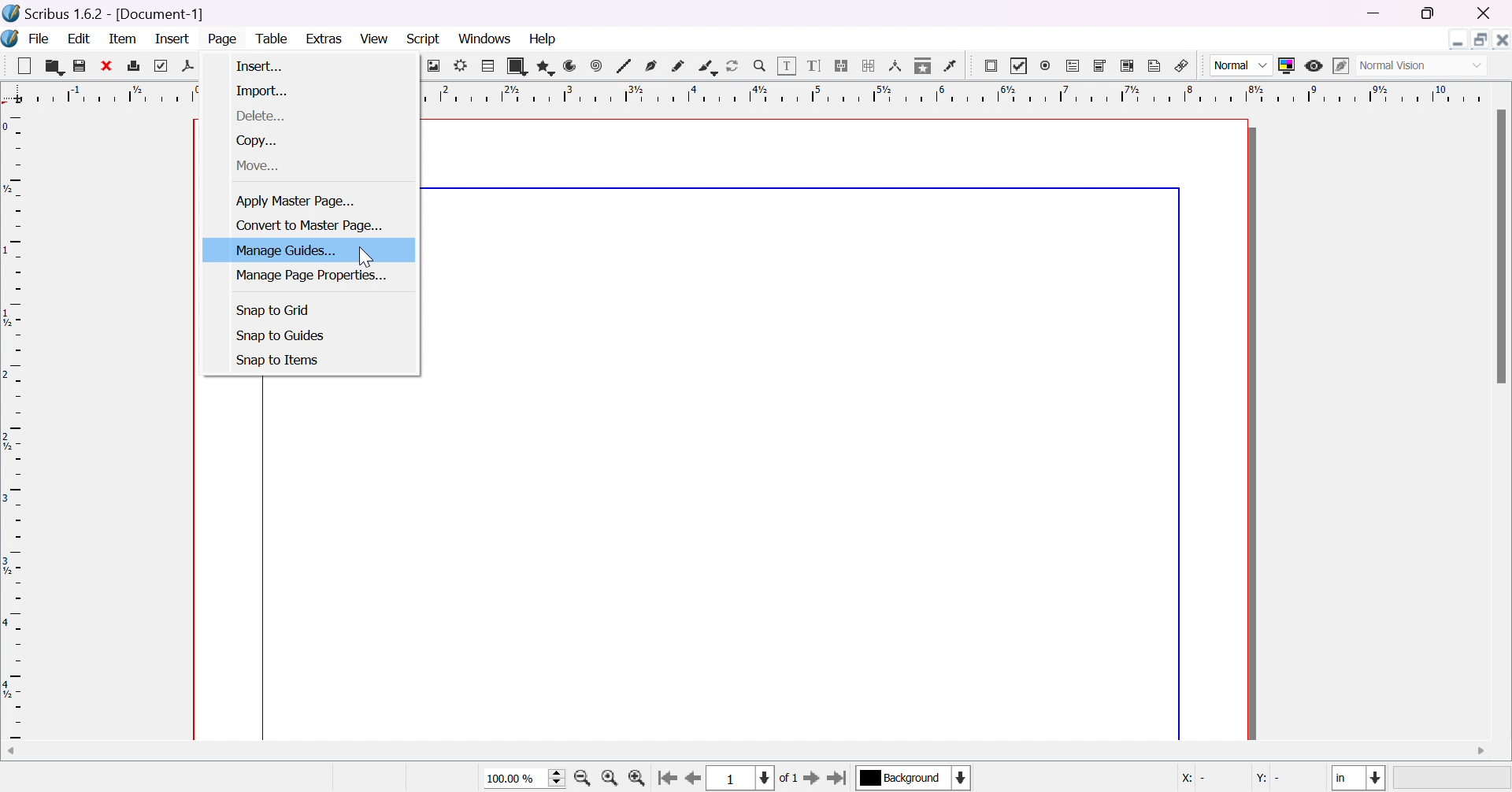  Describe the element at coordinates (991, 68) in the screenshot. I see `PDF push button` at that location.